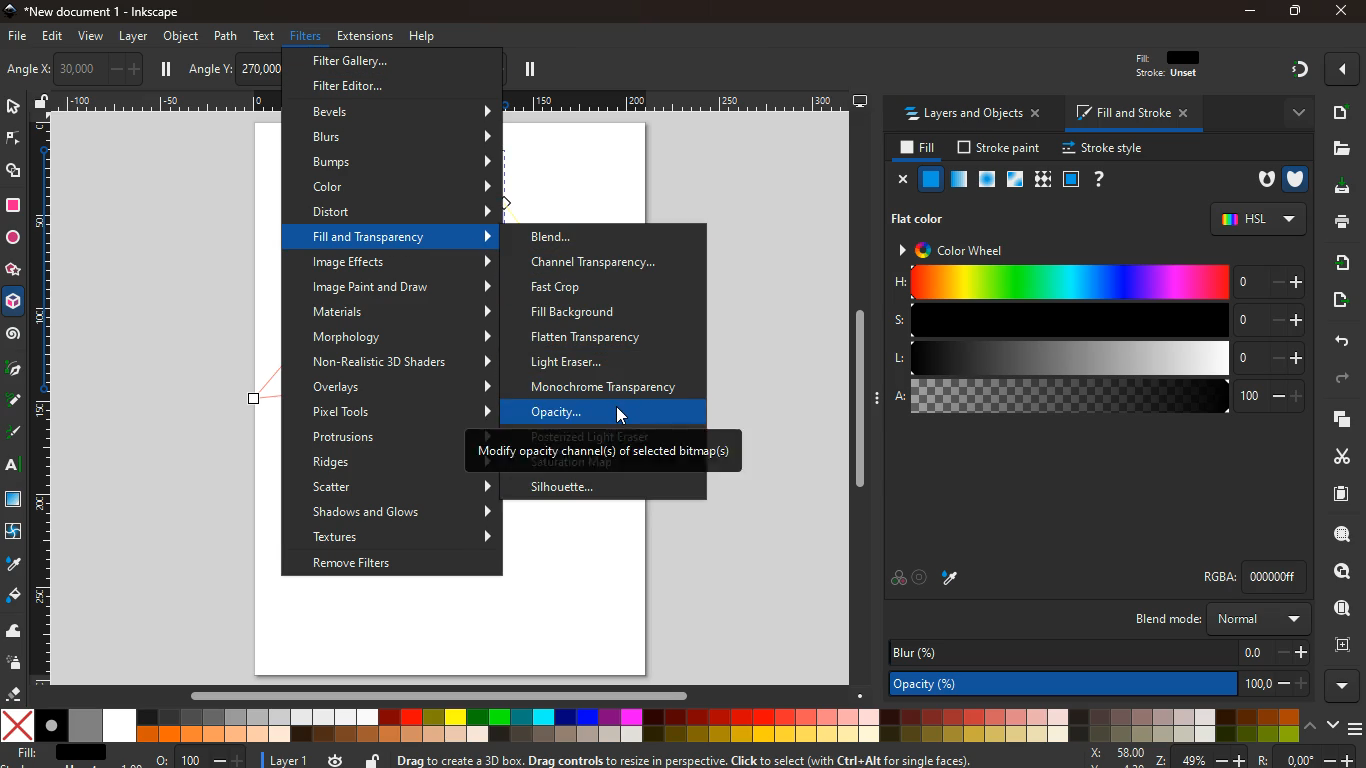 The width and height of the screenshot is (1366, 768). Describe the element at coordinates (1124, 756) in the screenshot. I see `zoom` at that location.